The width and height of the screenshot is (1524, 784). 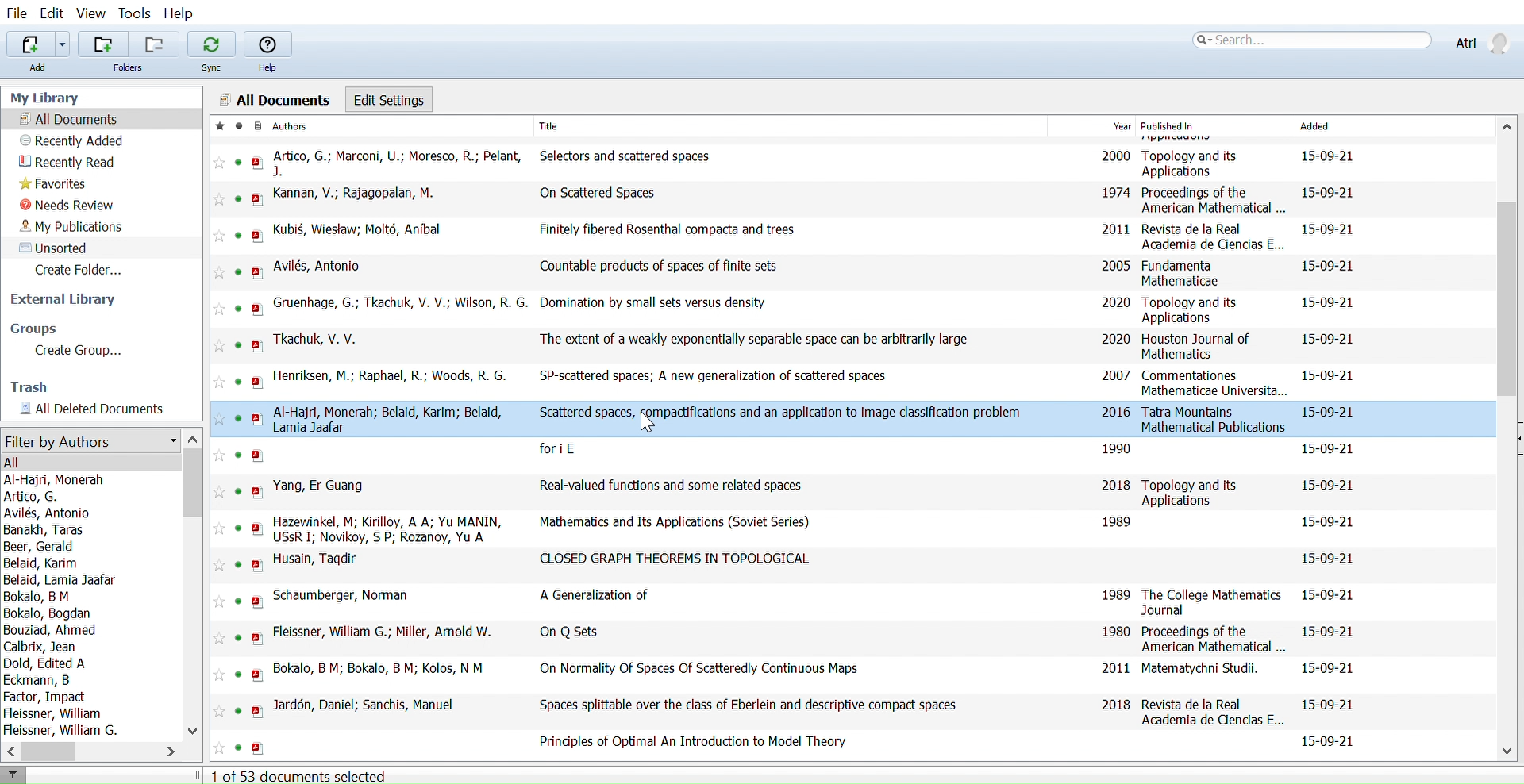 What do you see at coordinates (650, 422) in the screenshot?
I see `cursor` at bounding box center [650, 422].